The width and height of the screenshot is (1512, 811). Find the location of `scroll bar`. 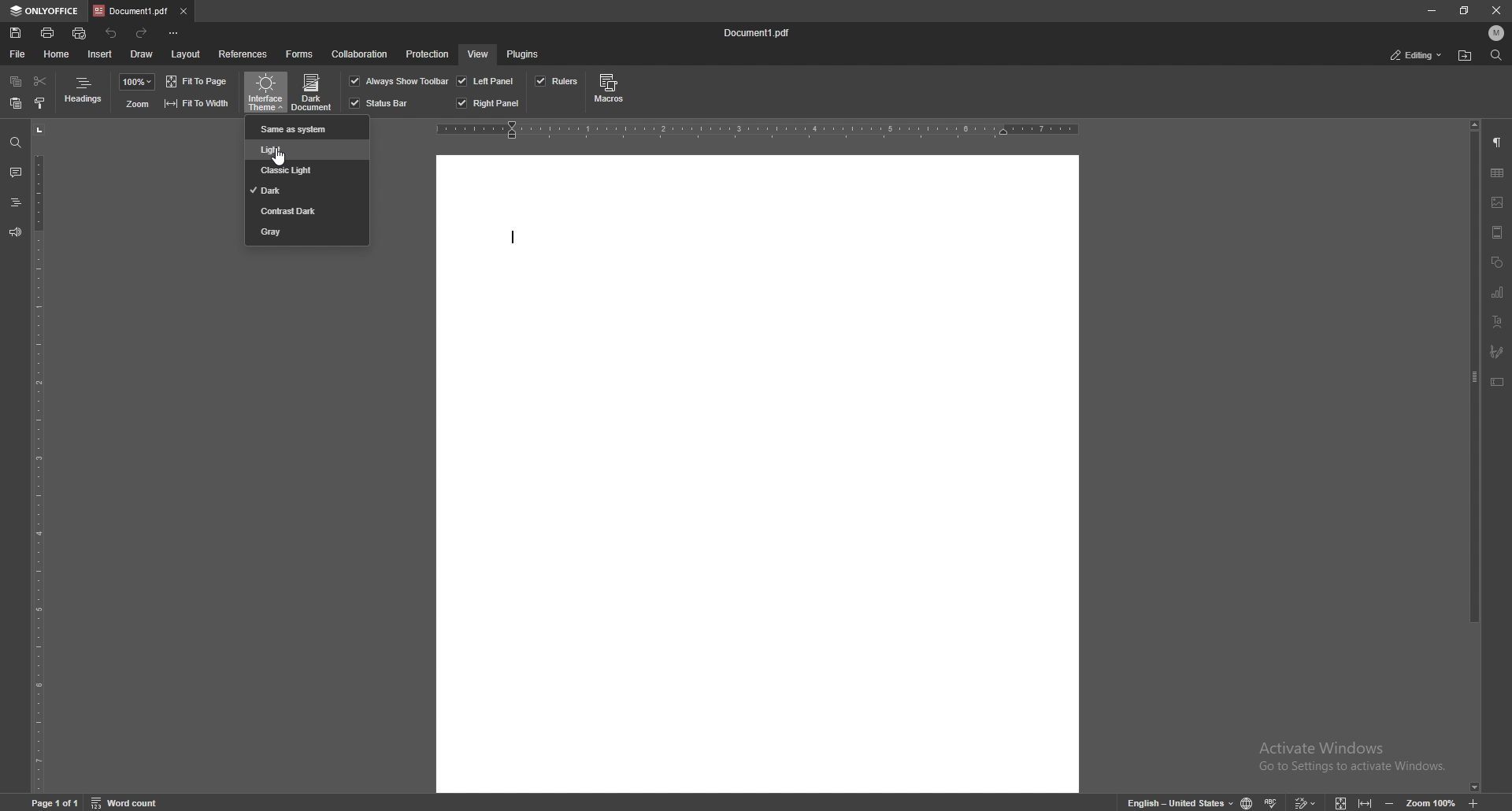

scroll bar is located at coordinates (1474, 457).